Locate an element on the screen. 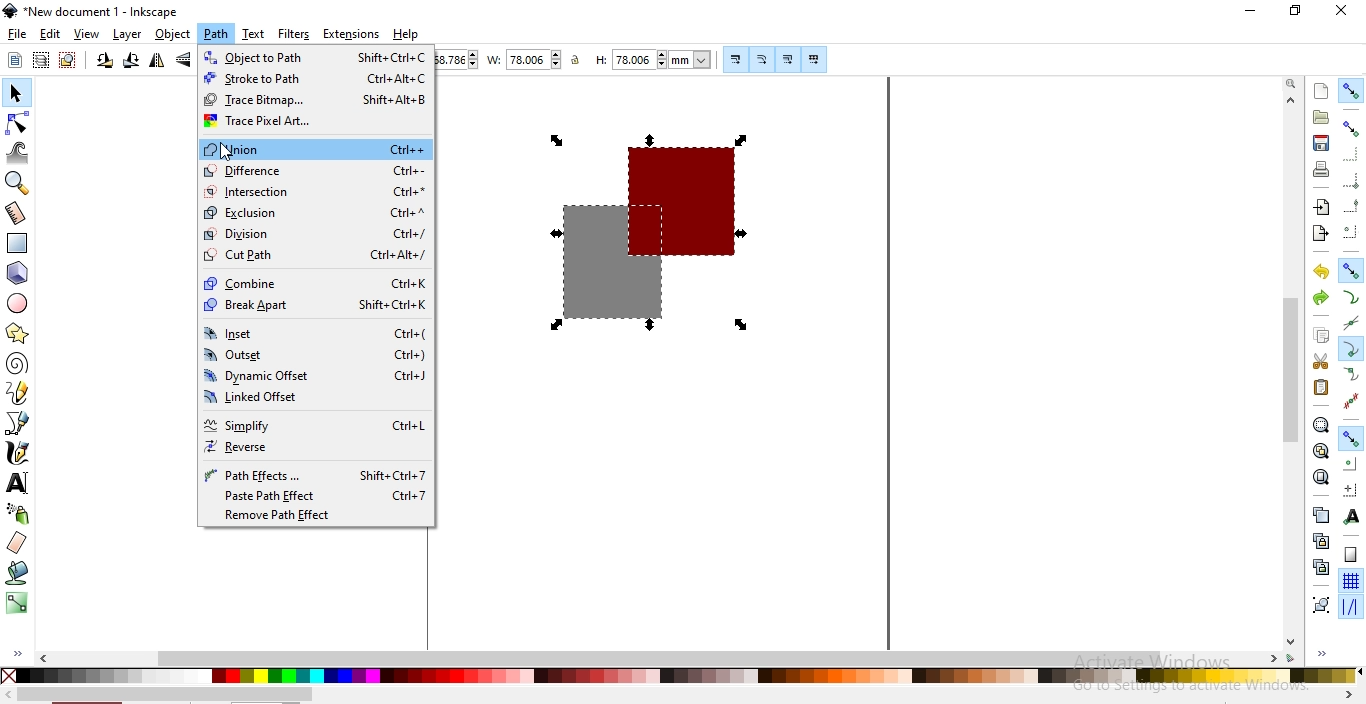  inset is located at coordinates (315, 334).